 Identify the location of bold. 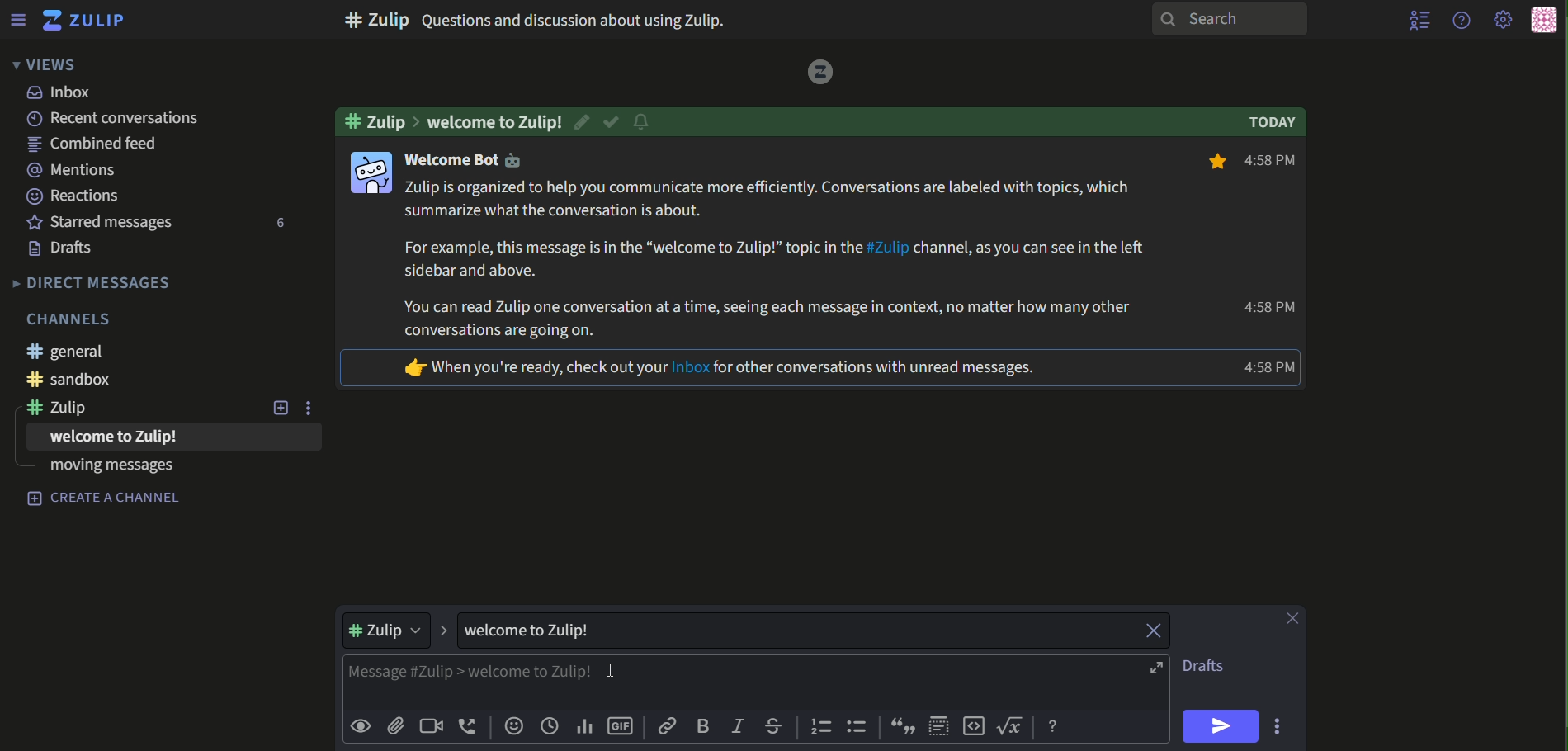
(705, 725).